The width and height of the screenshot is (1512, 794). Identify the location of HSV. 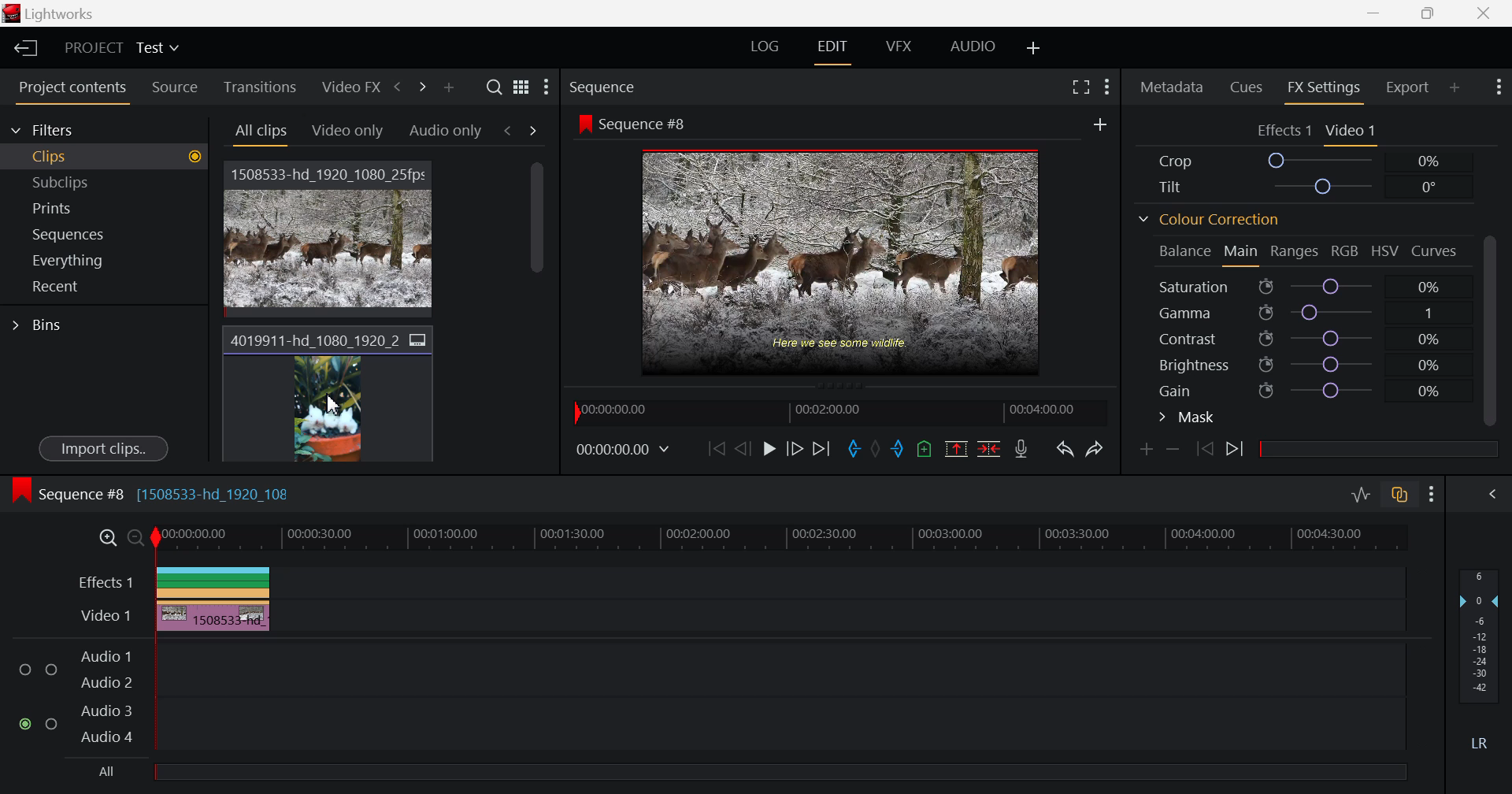
(1389, 254).